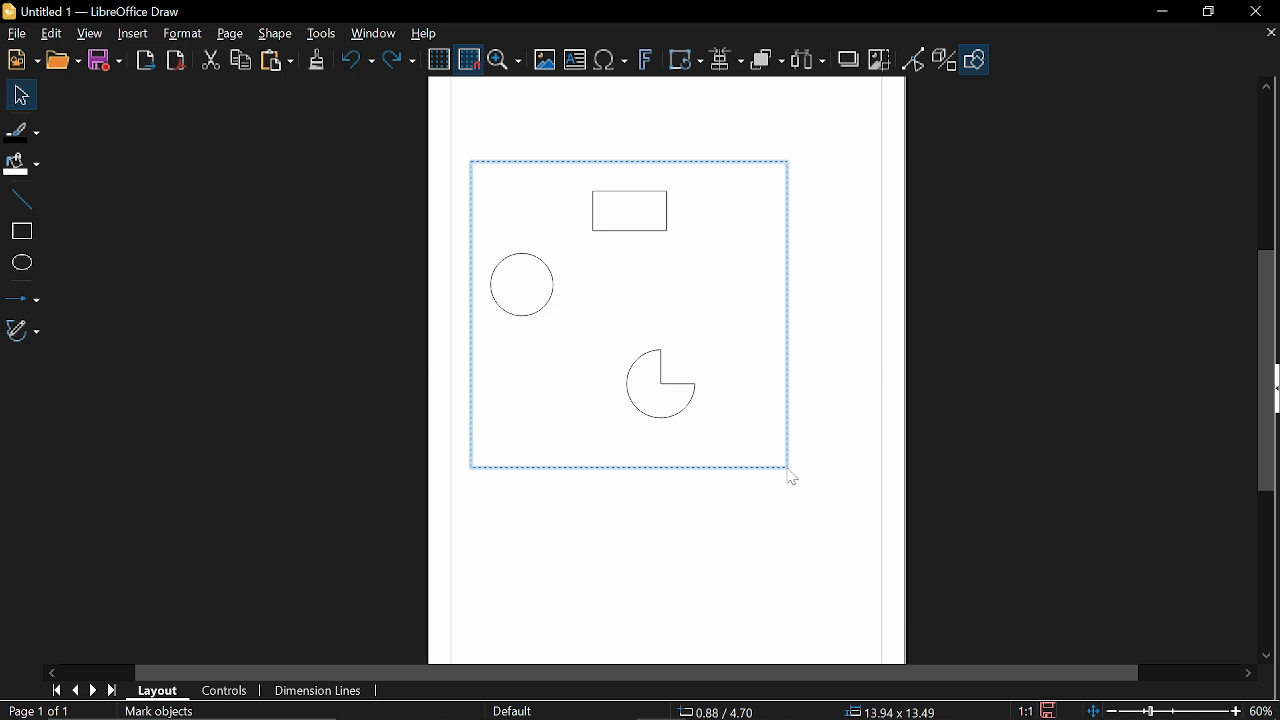 The image size is (1280, 720). I want to click on Move left, so click(51, 672).